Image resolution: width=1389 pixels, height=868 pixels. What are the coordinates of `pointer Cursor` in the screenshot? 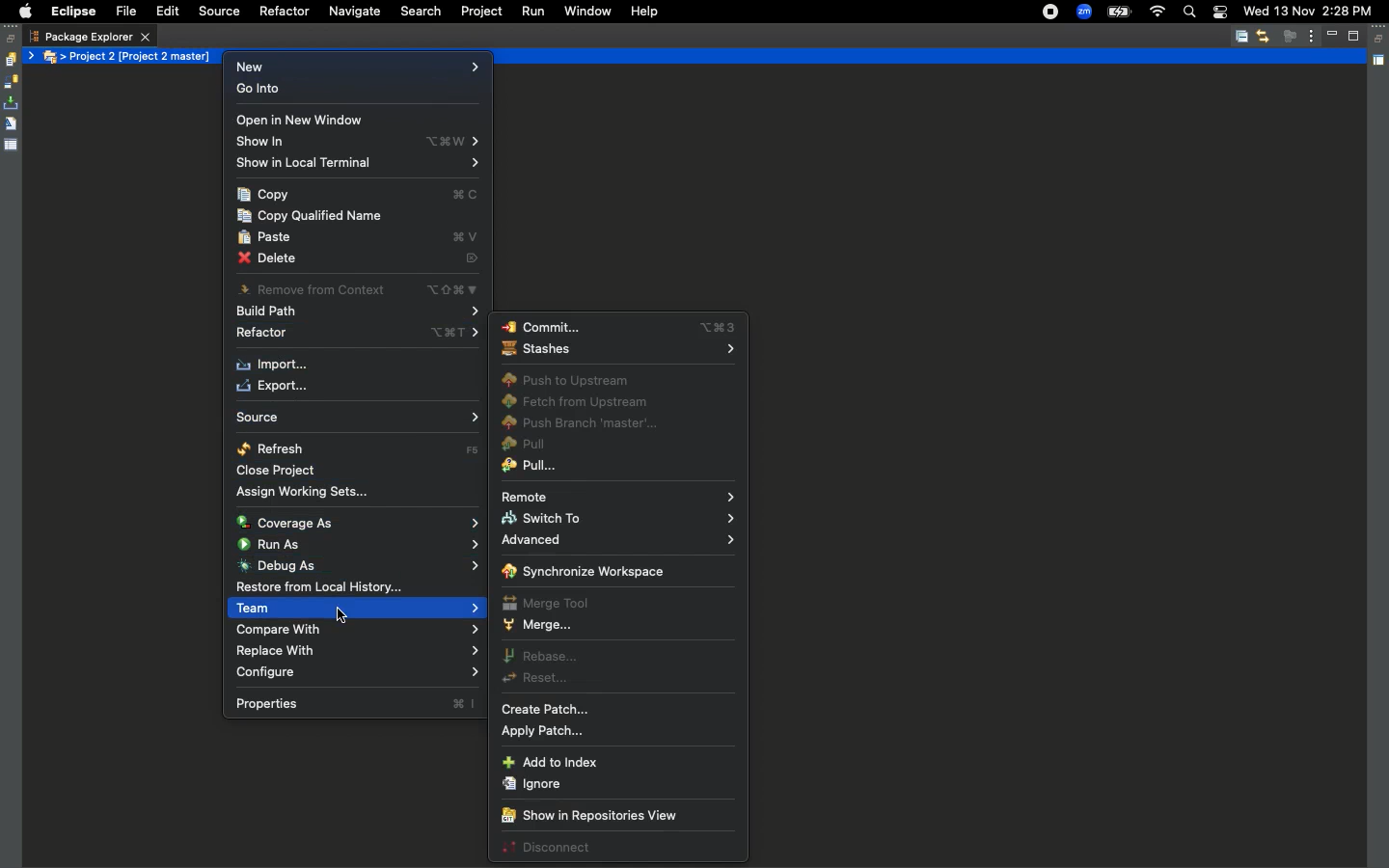 It's located at (340, 615).